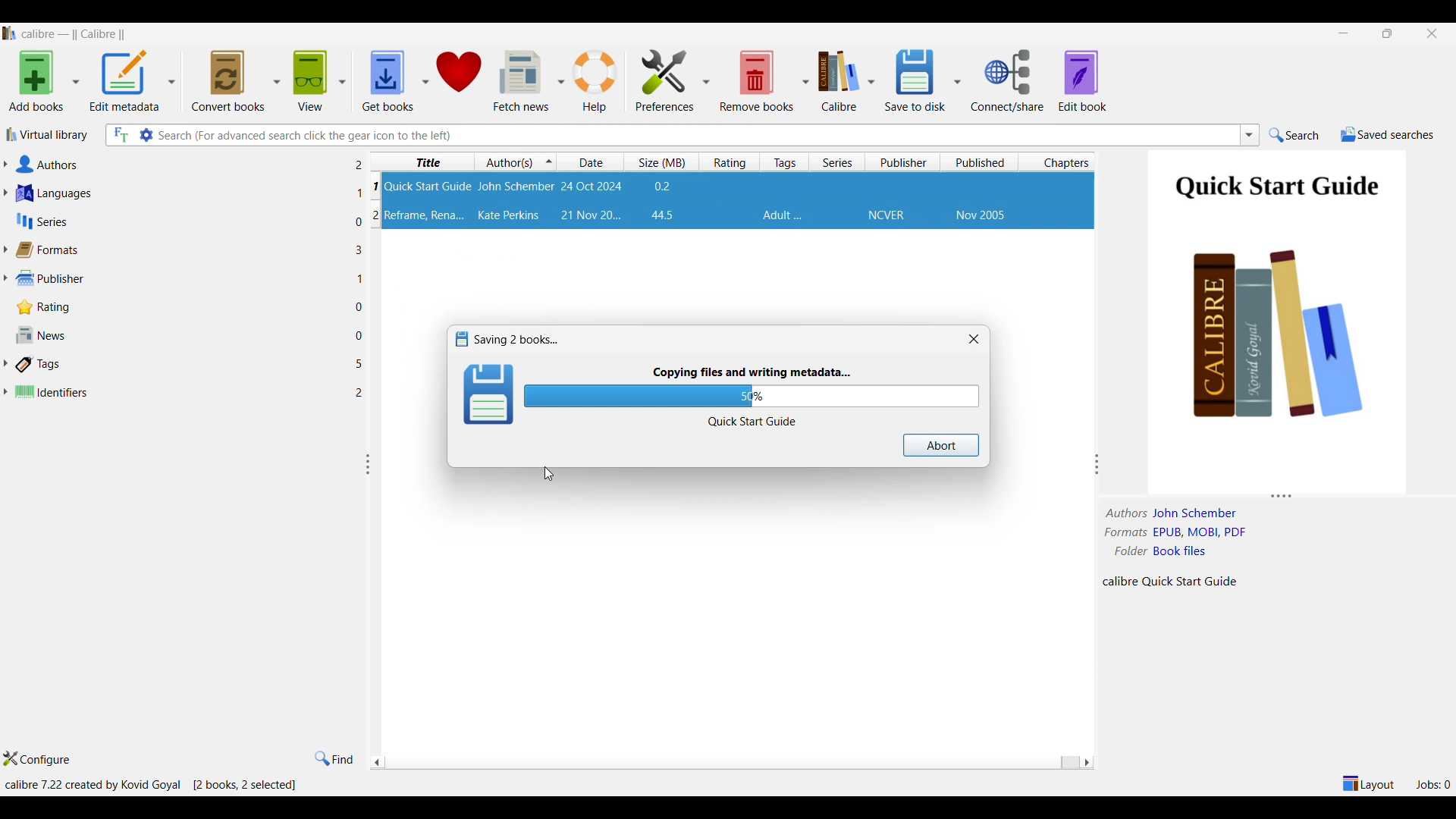 This screenshot has width=1456, height=819. What do you see at coordinates (396, 81) in the screenshot?
I see `Get book options` at bounding box center [396, 81].